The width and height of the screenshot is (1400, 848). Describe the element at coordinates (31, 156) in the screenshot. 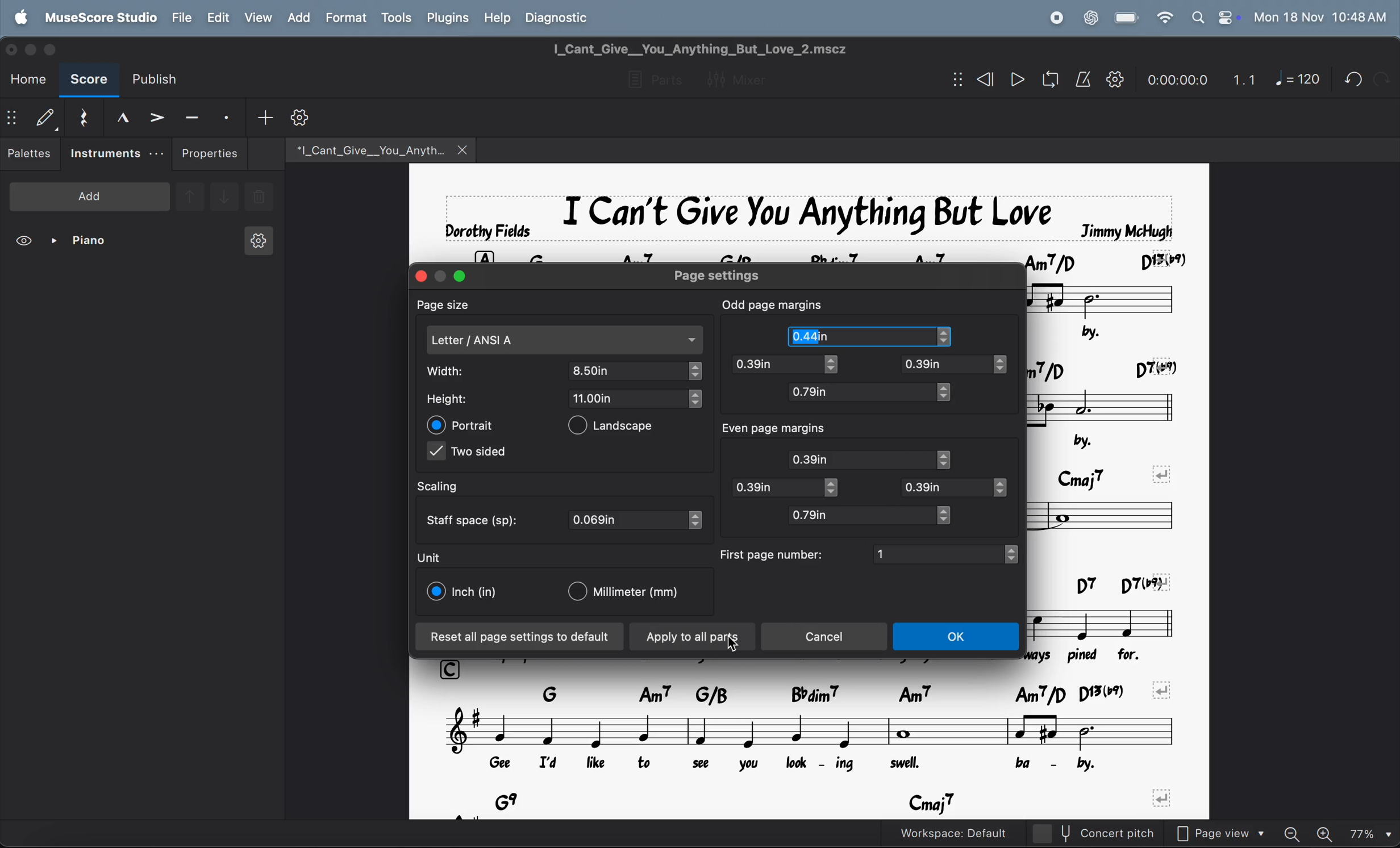

I see `palettes` at that location.